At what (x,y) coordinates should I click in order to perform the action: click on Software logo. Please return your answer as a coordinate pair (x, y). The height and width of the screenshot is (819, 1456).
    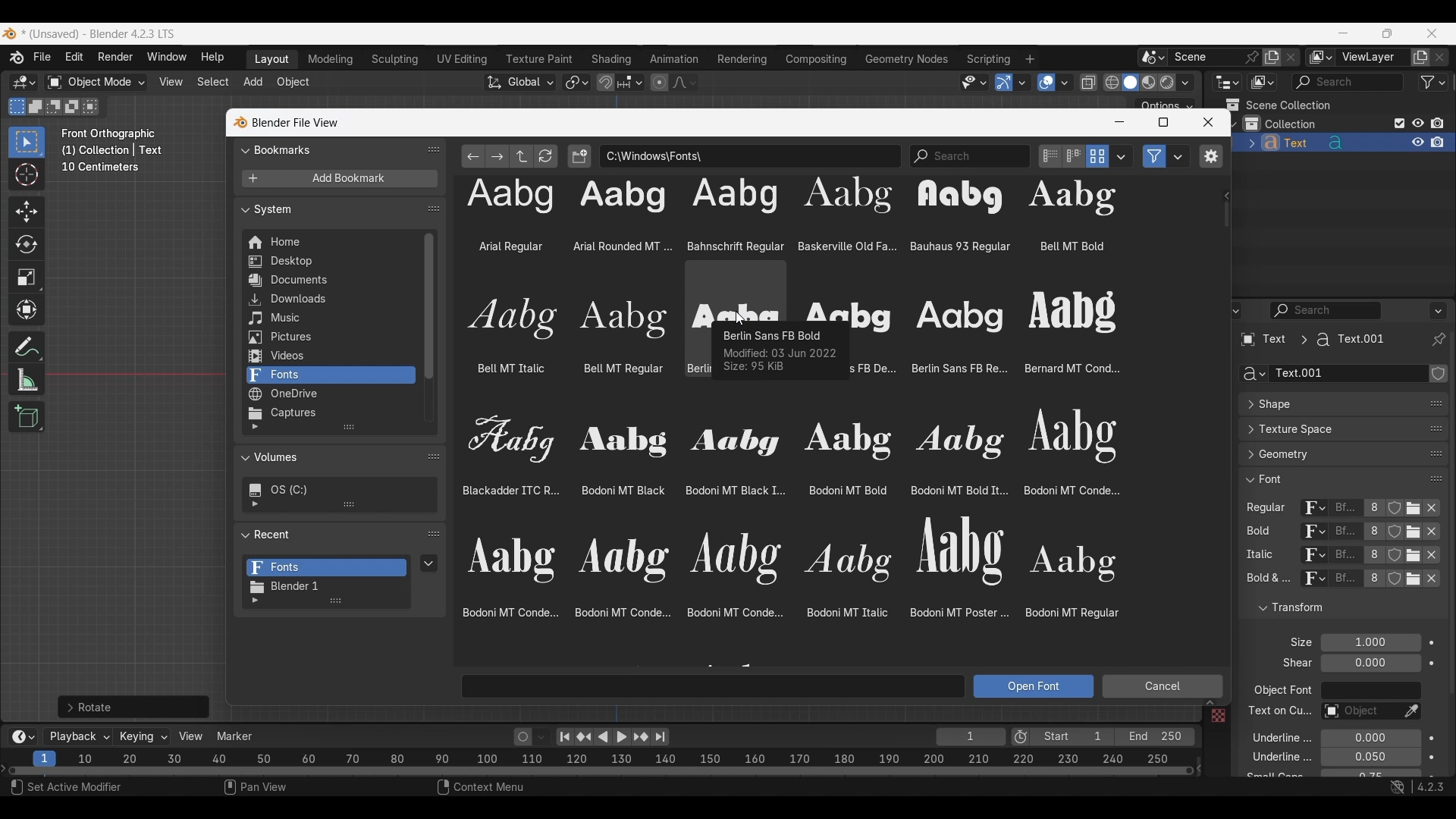
    Looking at the image, I should click on (9, 33).